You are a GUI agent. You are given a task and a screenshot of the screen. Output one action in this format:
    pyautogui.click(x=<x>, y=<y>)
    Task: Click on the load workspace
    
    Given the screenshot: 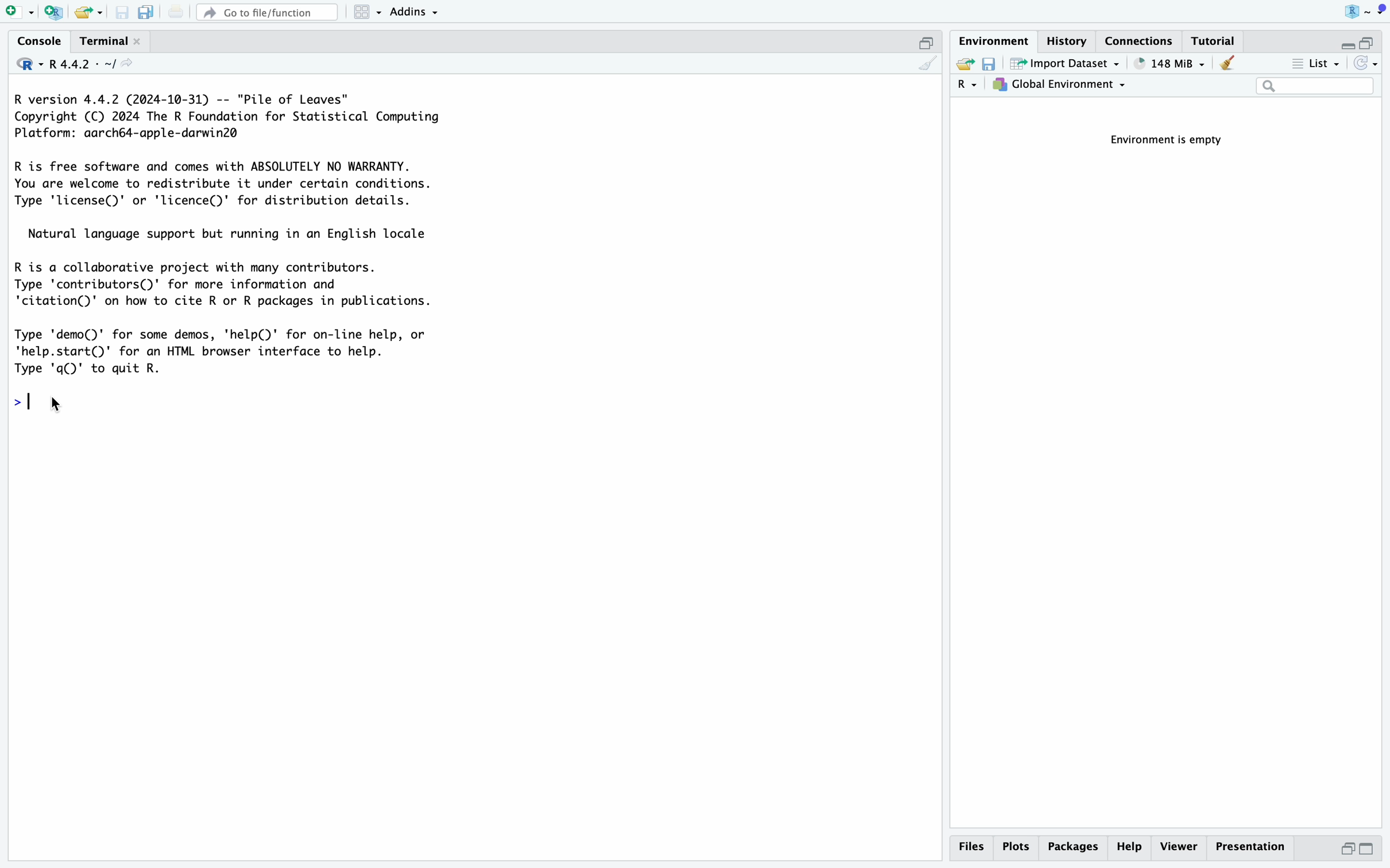 What is the action you would take?
    pyautogui.click(x=964, y=65)
    